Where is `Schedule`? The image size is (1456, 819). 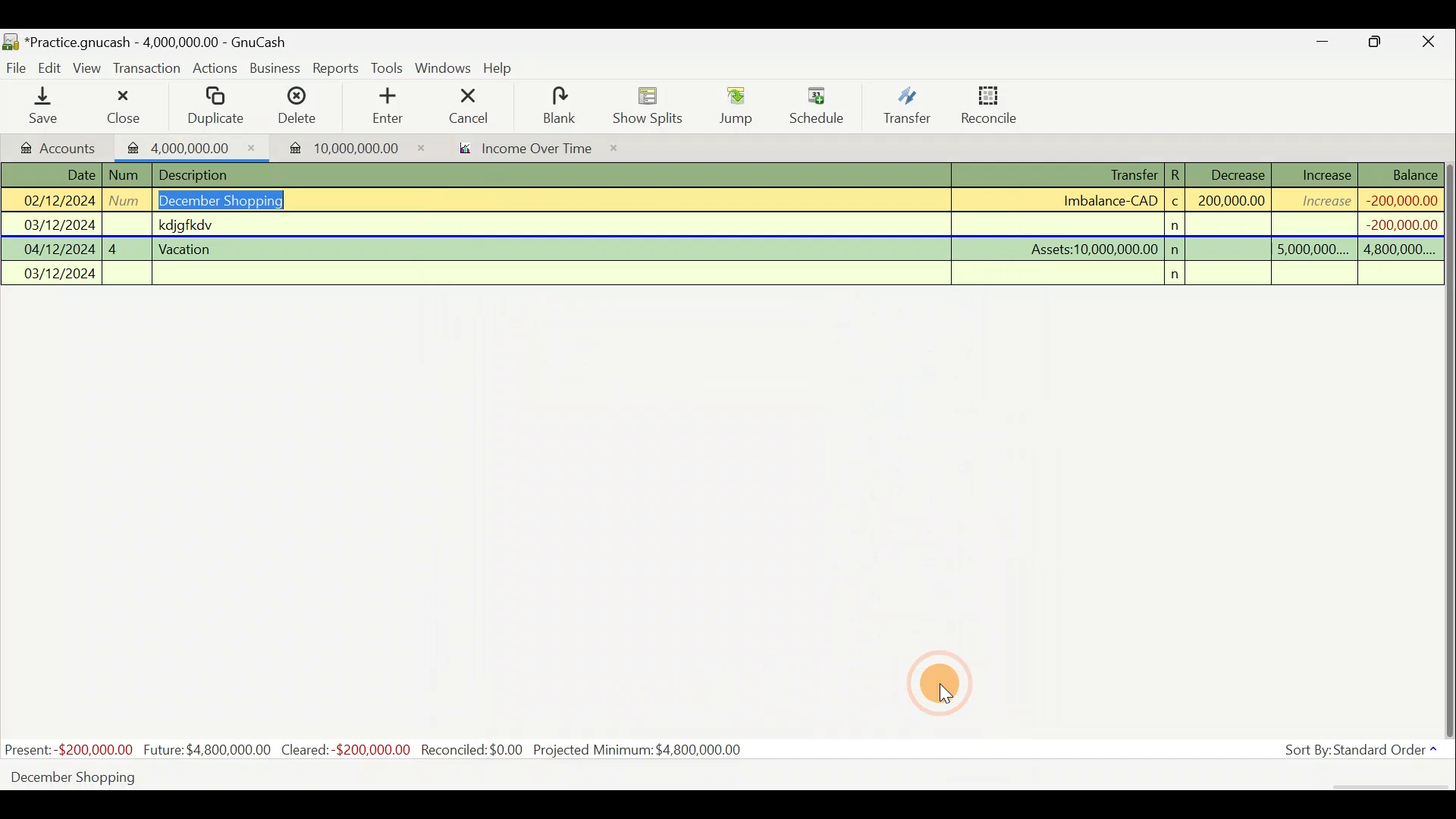
Schedule is located at coordinates (817, 106).